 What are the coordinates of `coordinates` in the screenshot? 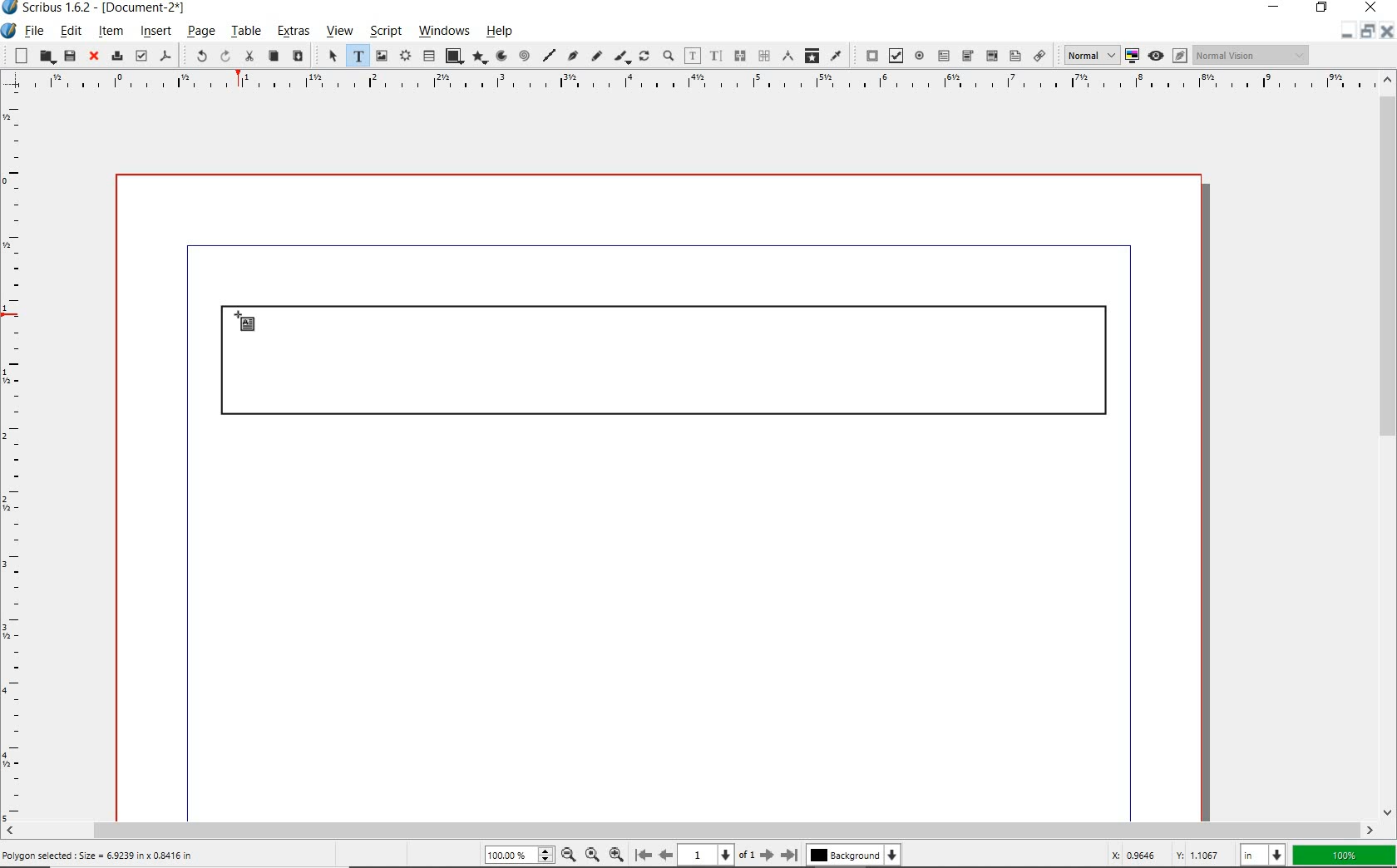 It's located at (1164, 856).